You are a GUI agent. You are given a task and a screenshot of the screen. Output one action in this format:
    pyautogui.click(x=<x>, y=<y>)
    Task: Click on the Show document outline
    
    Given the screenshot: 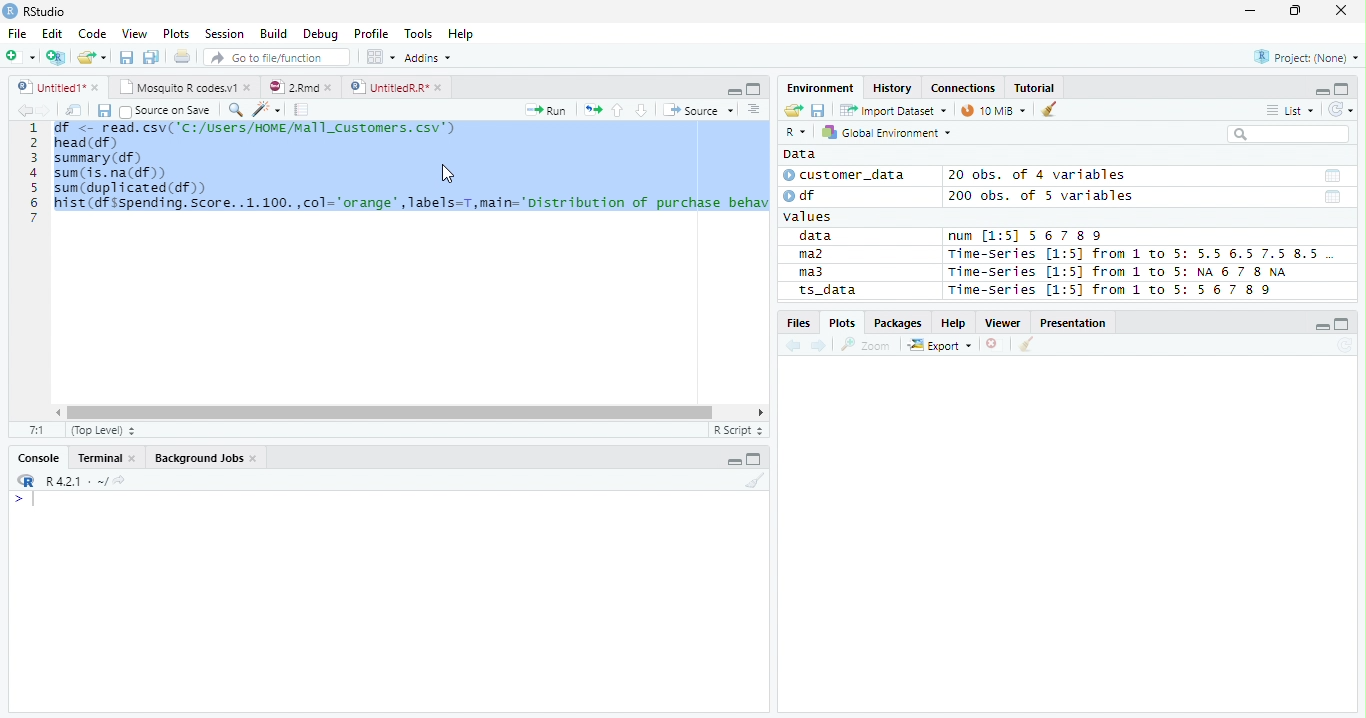 What is the action you would take?
    pyautogui.click(x=752, y=109)
    